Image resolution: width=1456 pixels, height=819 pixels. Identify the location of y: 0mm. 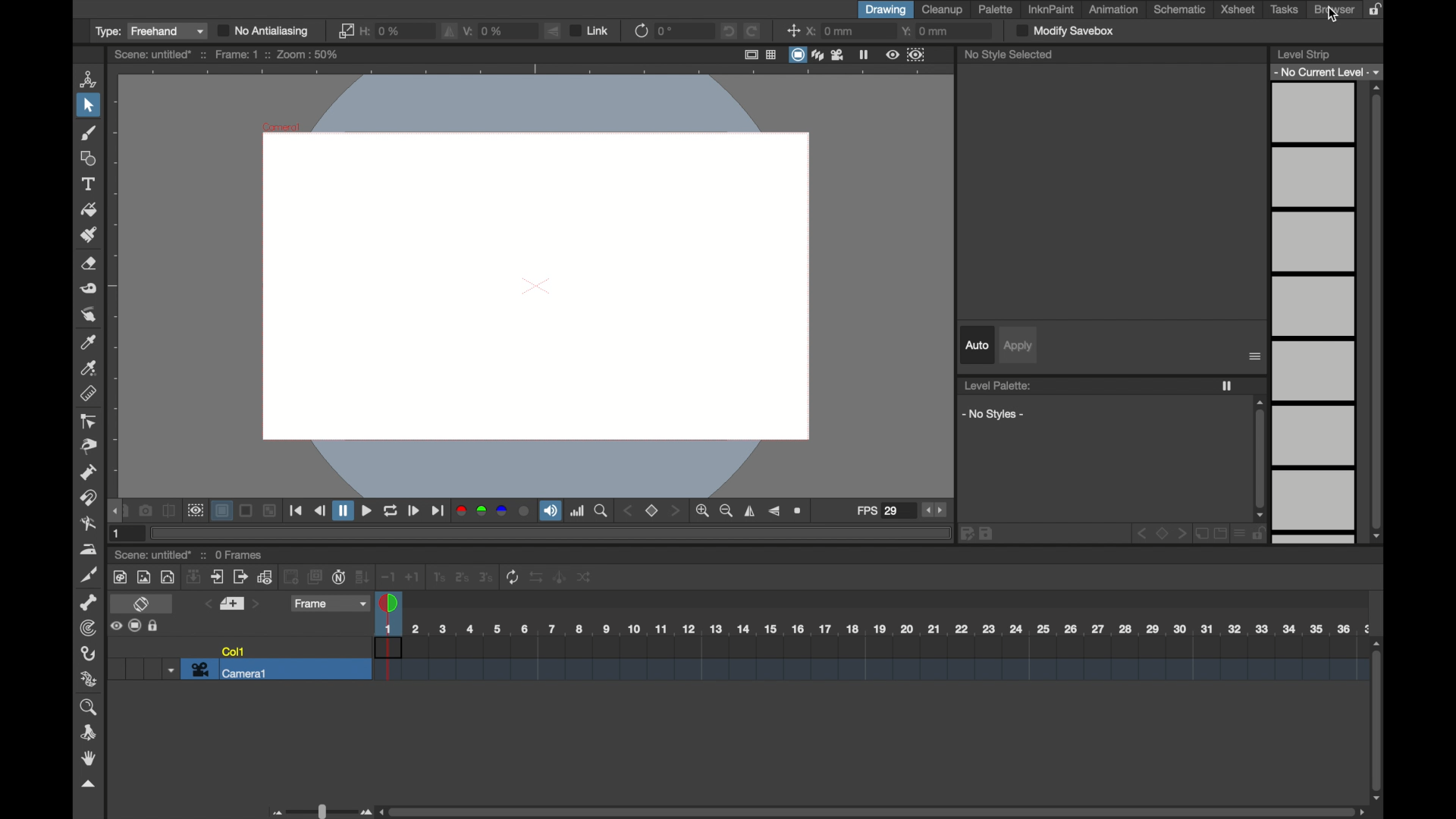
(927, 32).